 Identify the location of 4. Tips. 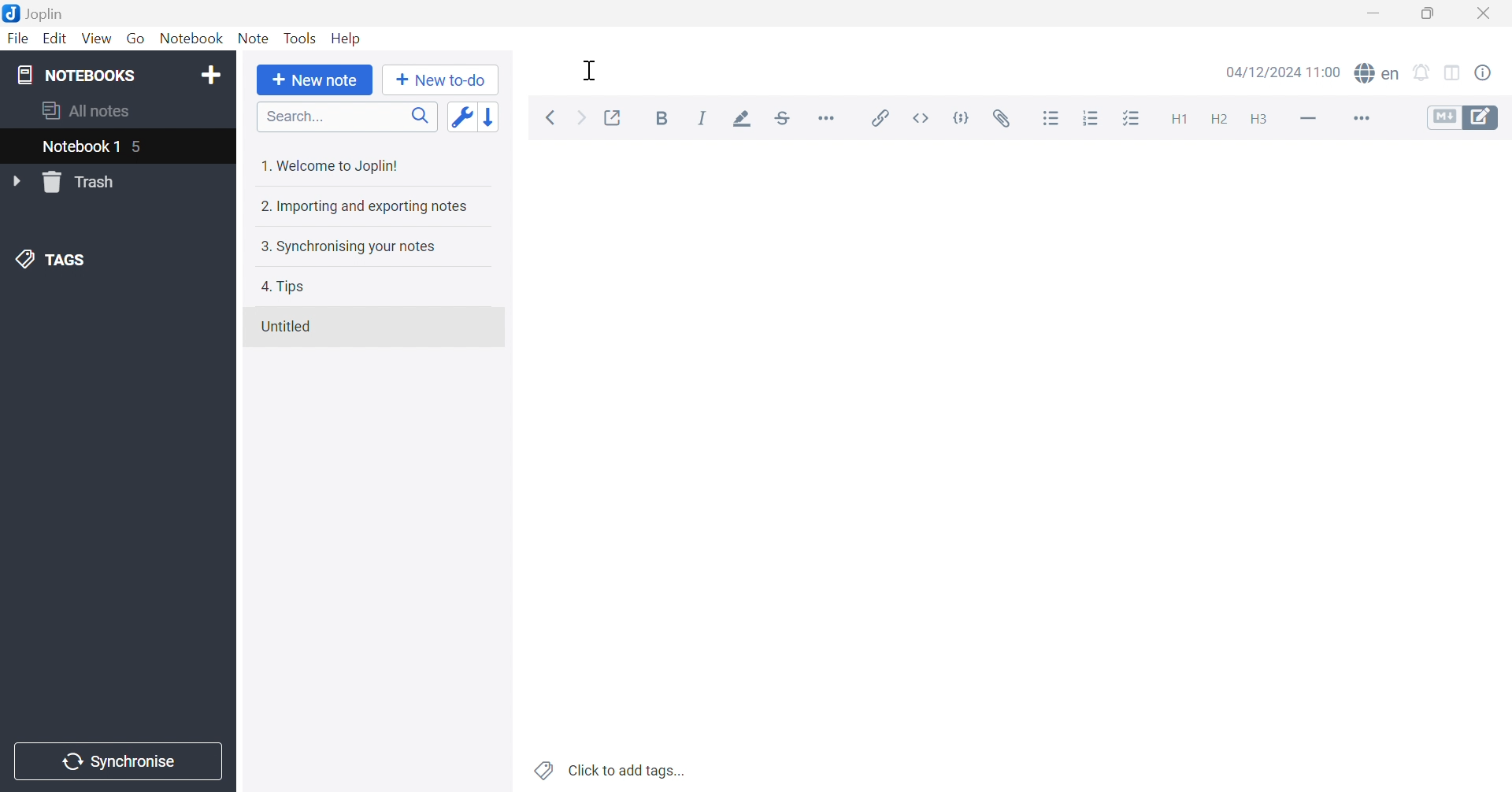
(287, 285).